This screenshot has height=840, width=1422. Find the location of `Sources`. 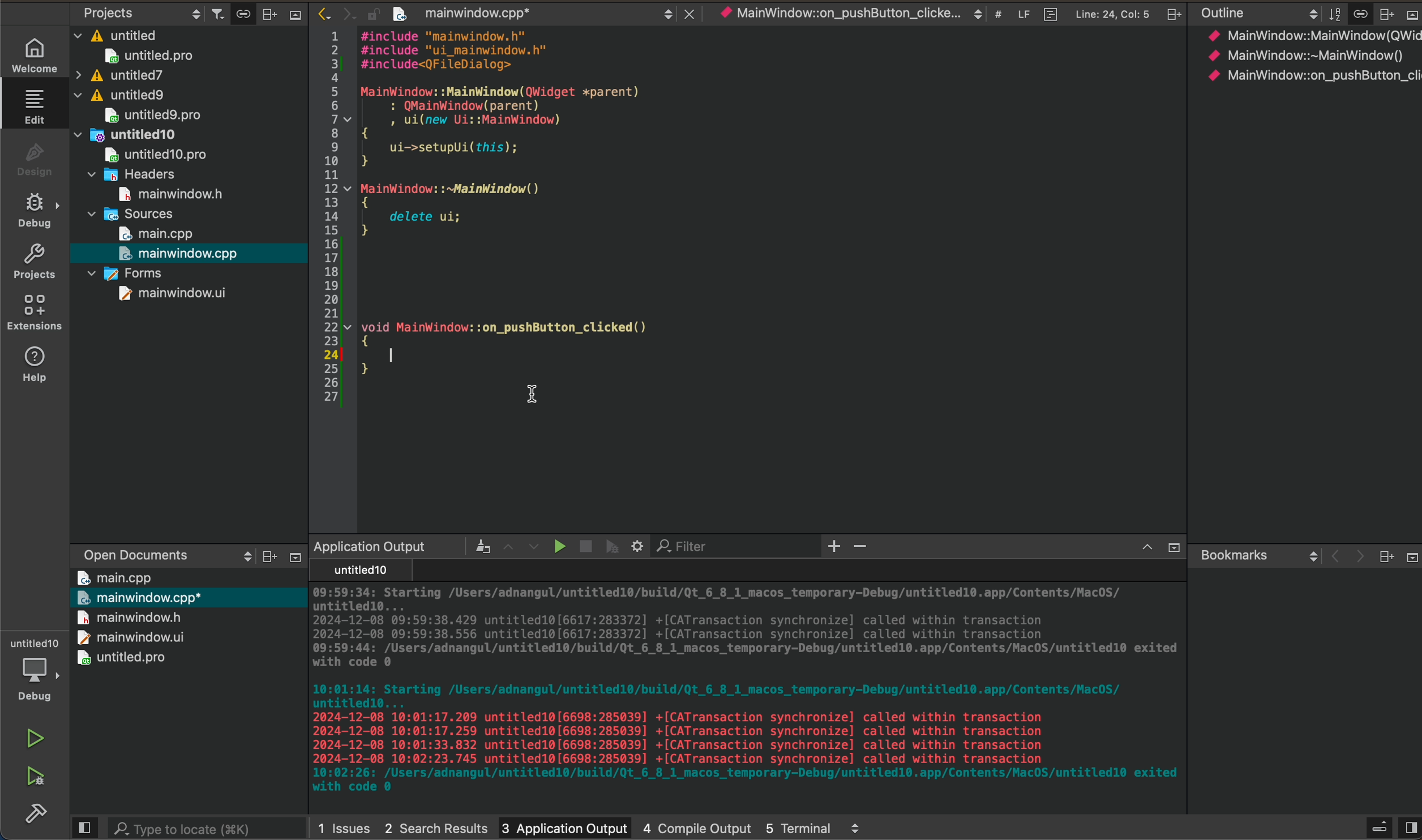

Sources is located at coordinates (132, 213).